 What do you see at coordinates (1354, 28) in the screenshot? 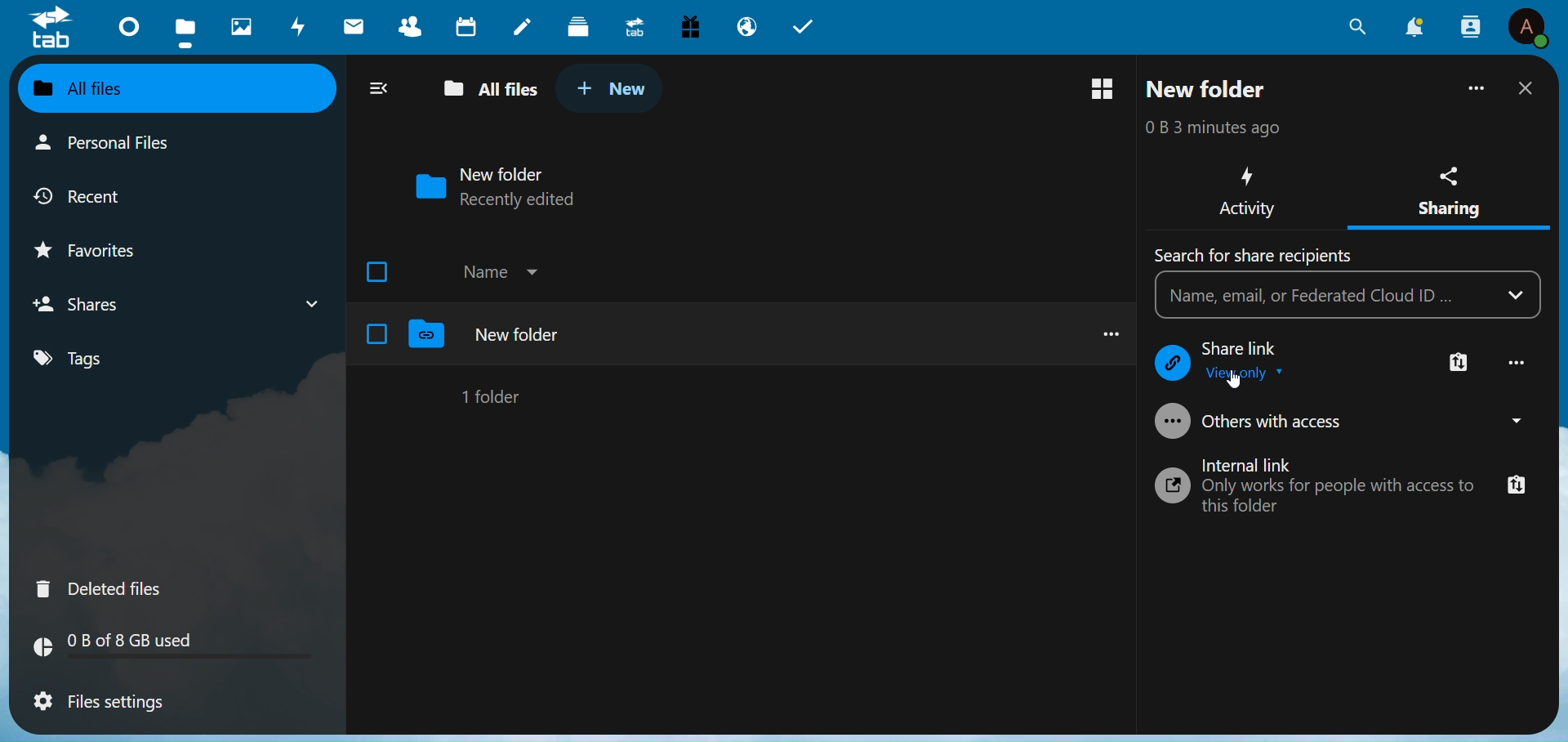
I see `Search` at bounding box center [1354, 28].